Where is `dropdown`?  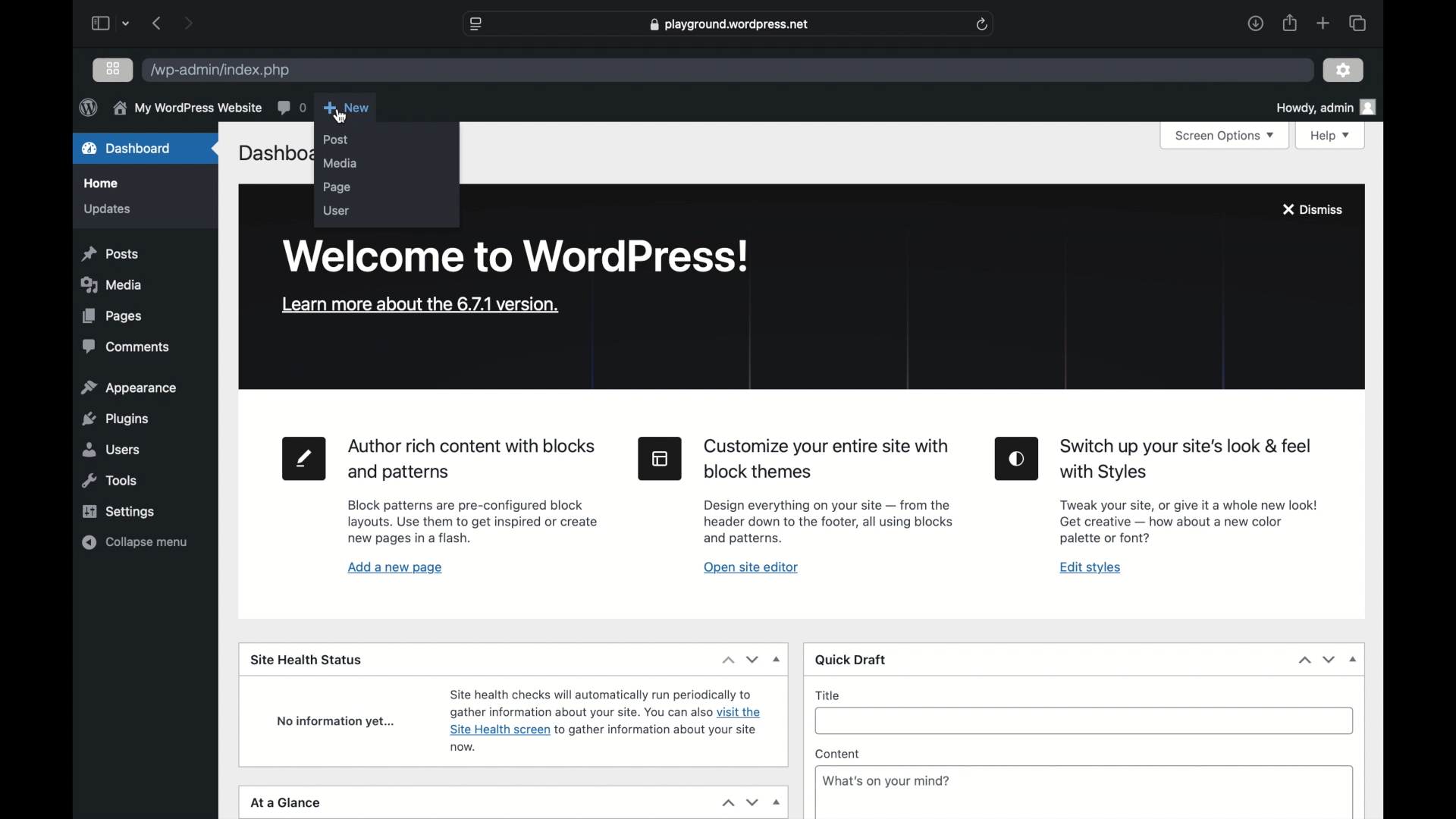
dropdown is located at coordinates (778, 659).